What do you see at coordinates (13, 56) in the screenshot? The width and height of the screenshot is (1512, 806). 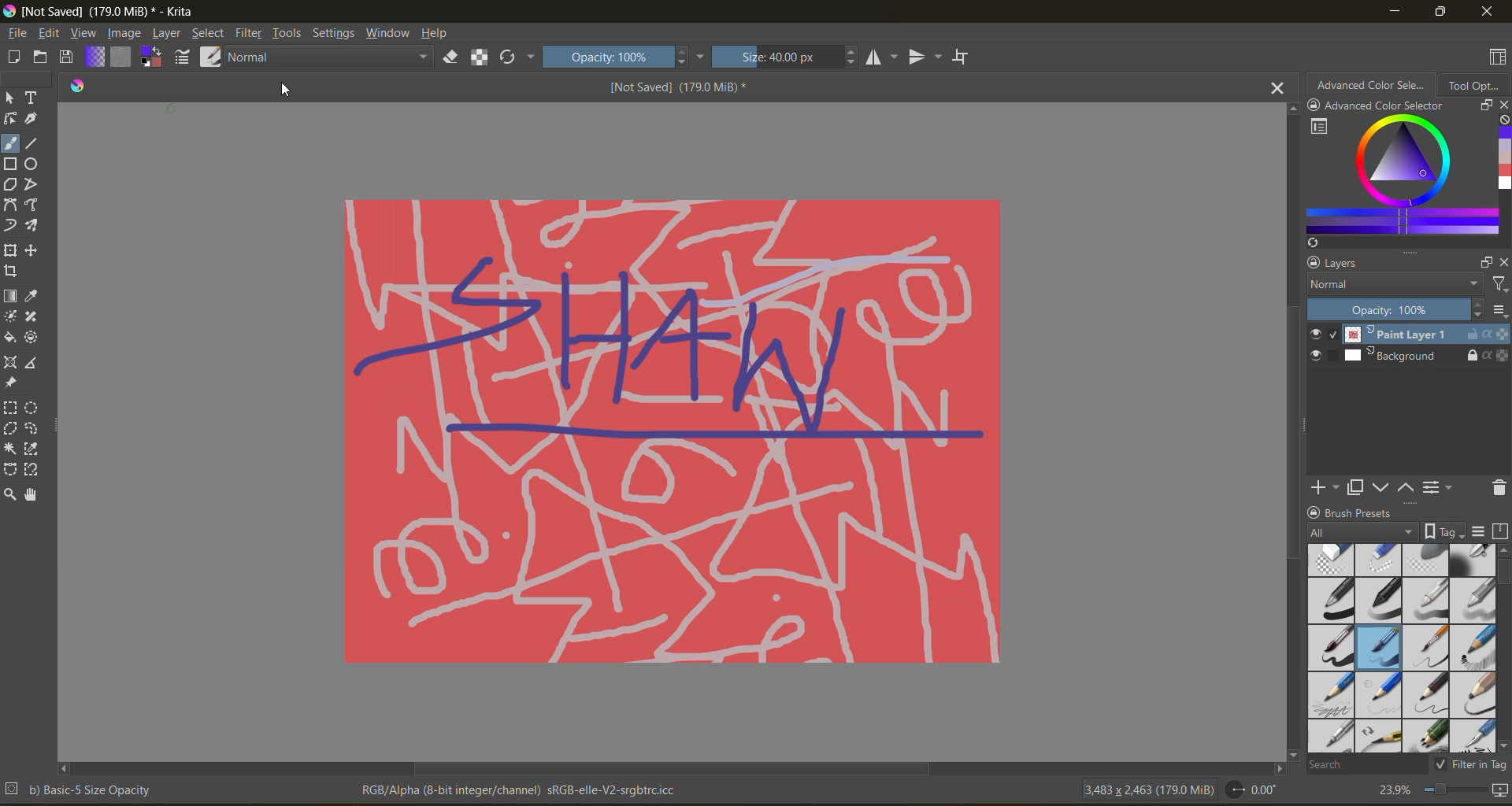 I see `create` at bounding box center [13, 56].